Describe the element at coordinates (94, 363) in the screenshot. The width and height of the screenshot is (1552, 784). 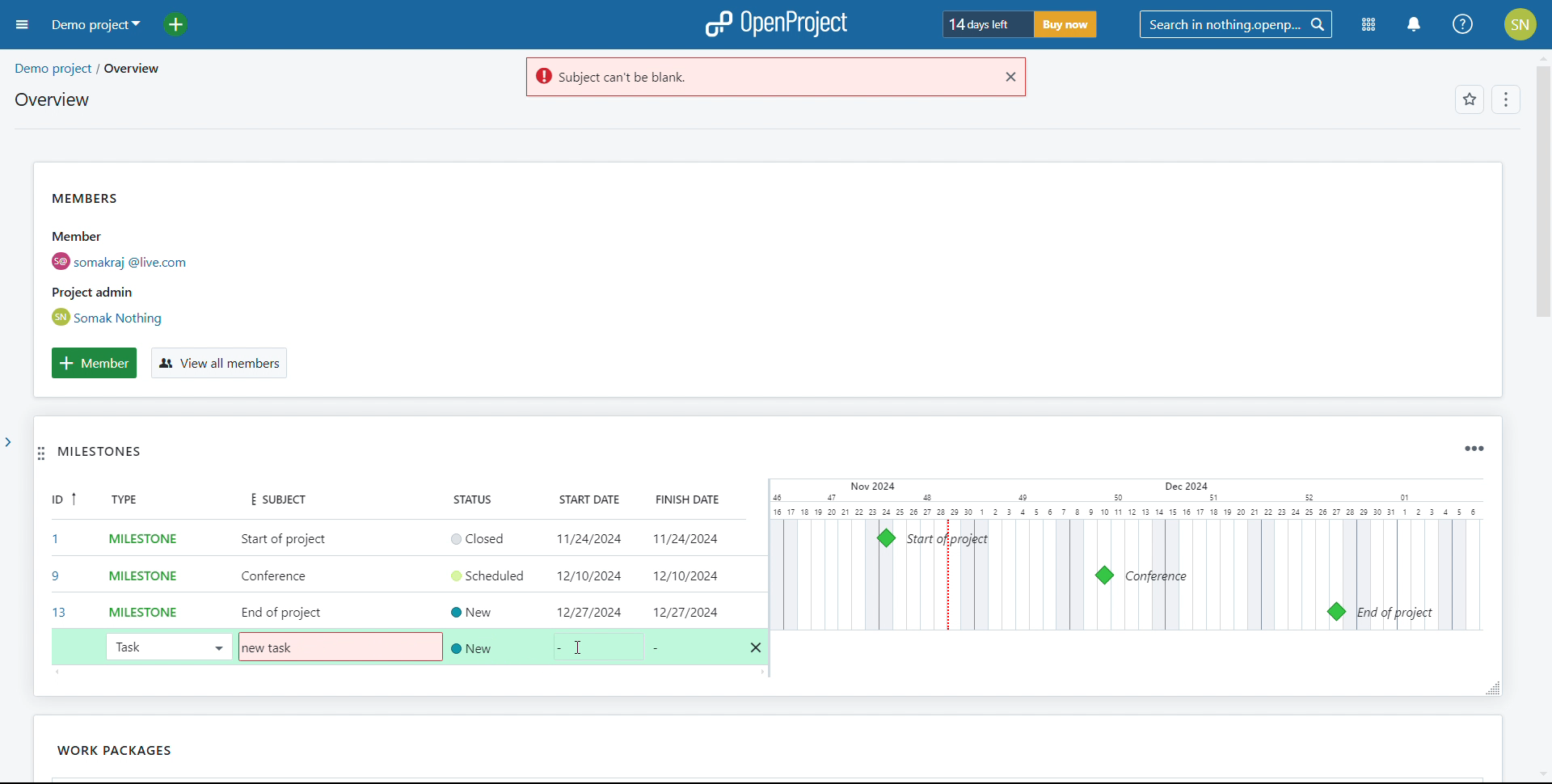
I see `add member` at that location.